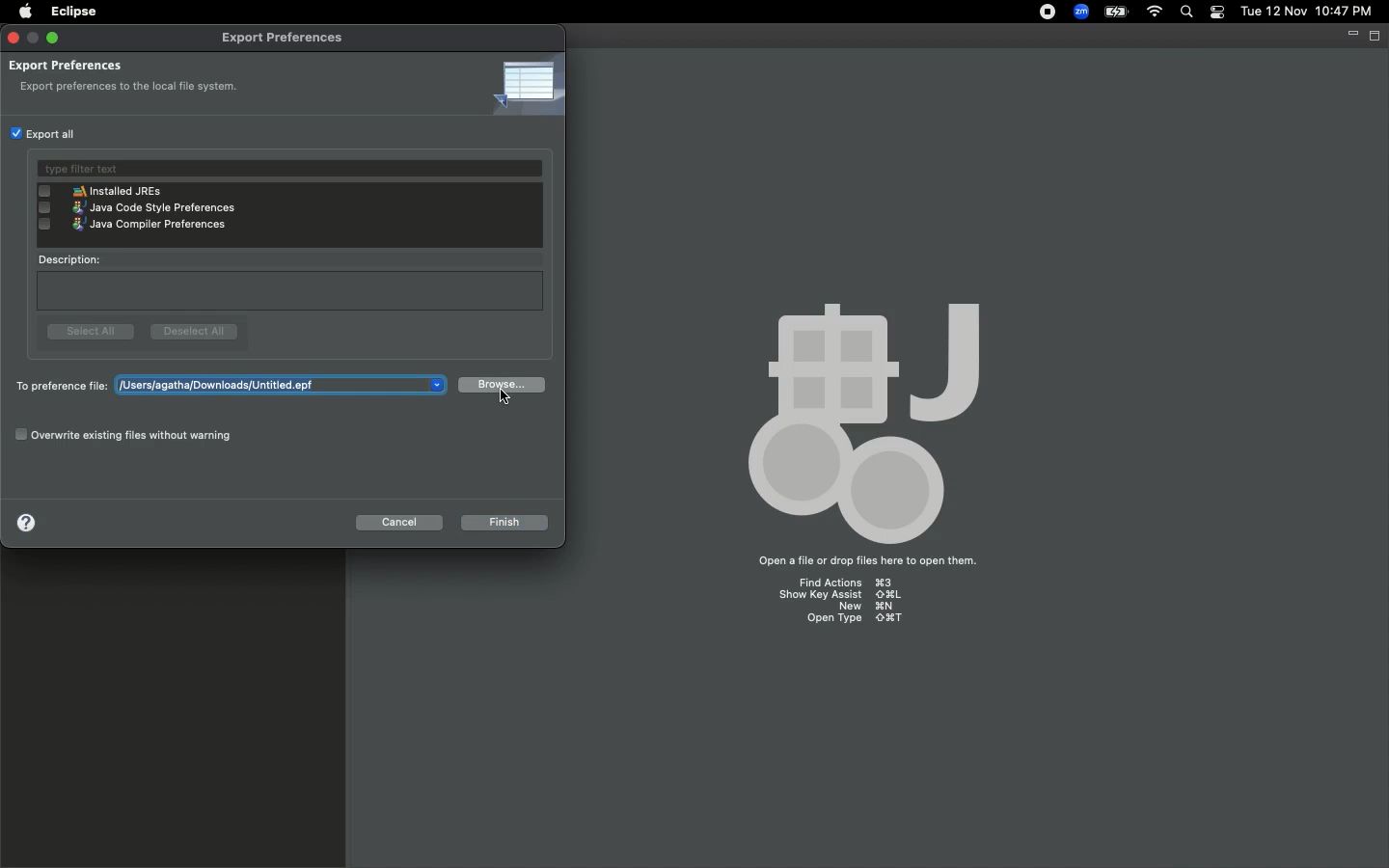 The height and width of the screenshot is (868, 1389). Describe the element at coordinates (1305, 10) in the screenshot. I see `tue 12 nov 10:47 pm ` at that location.